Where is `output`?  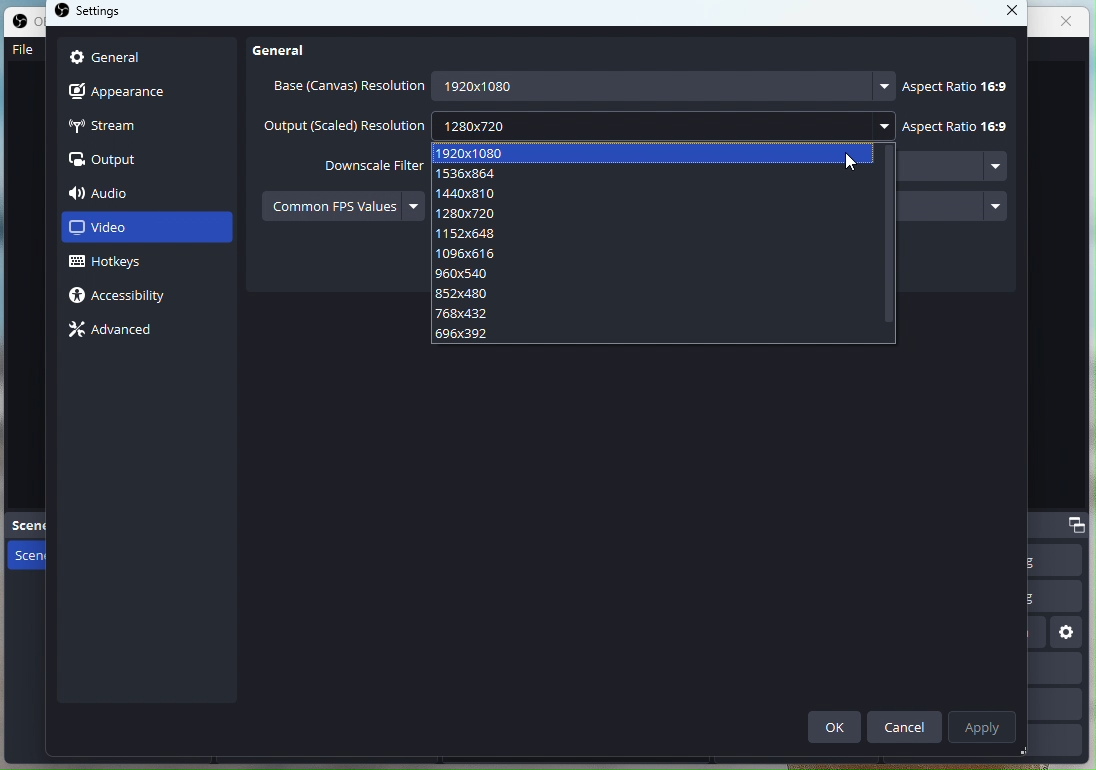 output is located at coordinates (108, 161).